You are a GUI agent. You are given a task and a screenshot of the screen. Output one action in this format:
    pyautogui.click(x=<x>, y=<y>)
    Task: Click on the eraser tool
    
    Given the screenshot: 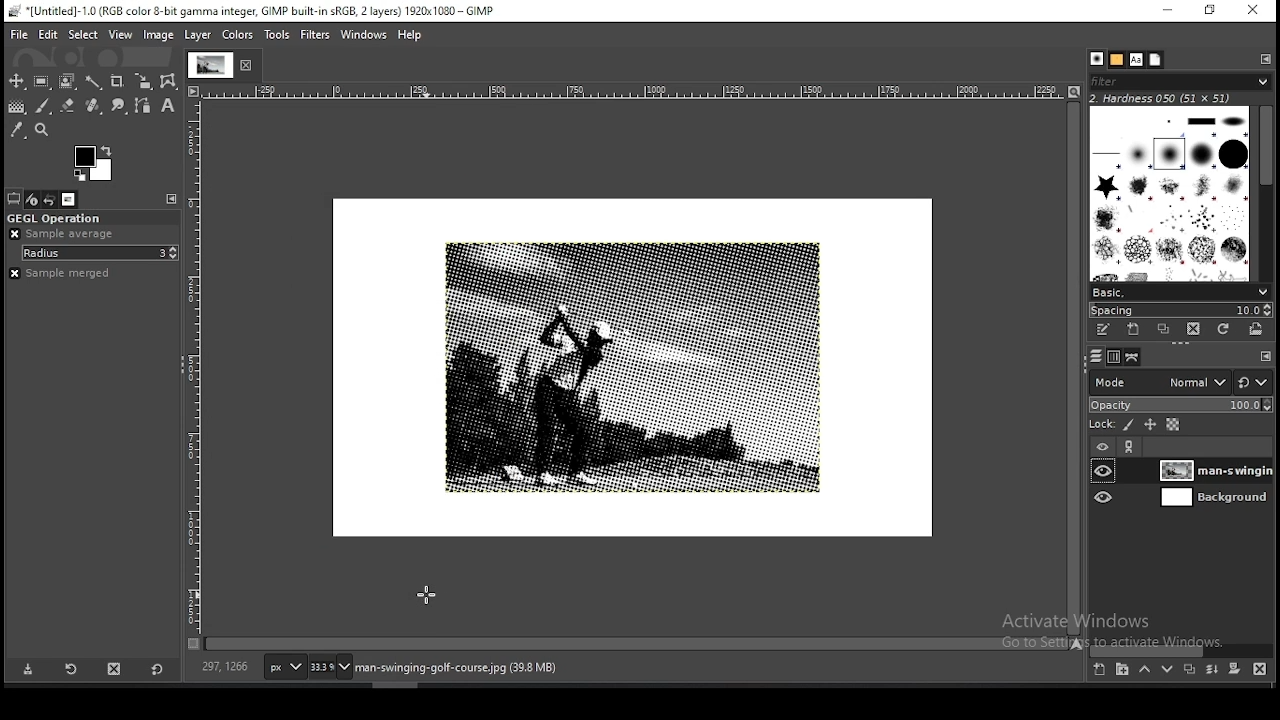 What is the action you would take?
    pyautogui.click(x=68, y=107)
    